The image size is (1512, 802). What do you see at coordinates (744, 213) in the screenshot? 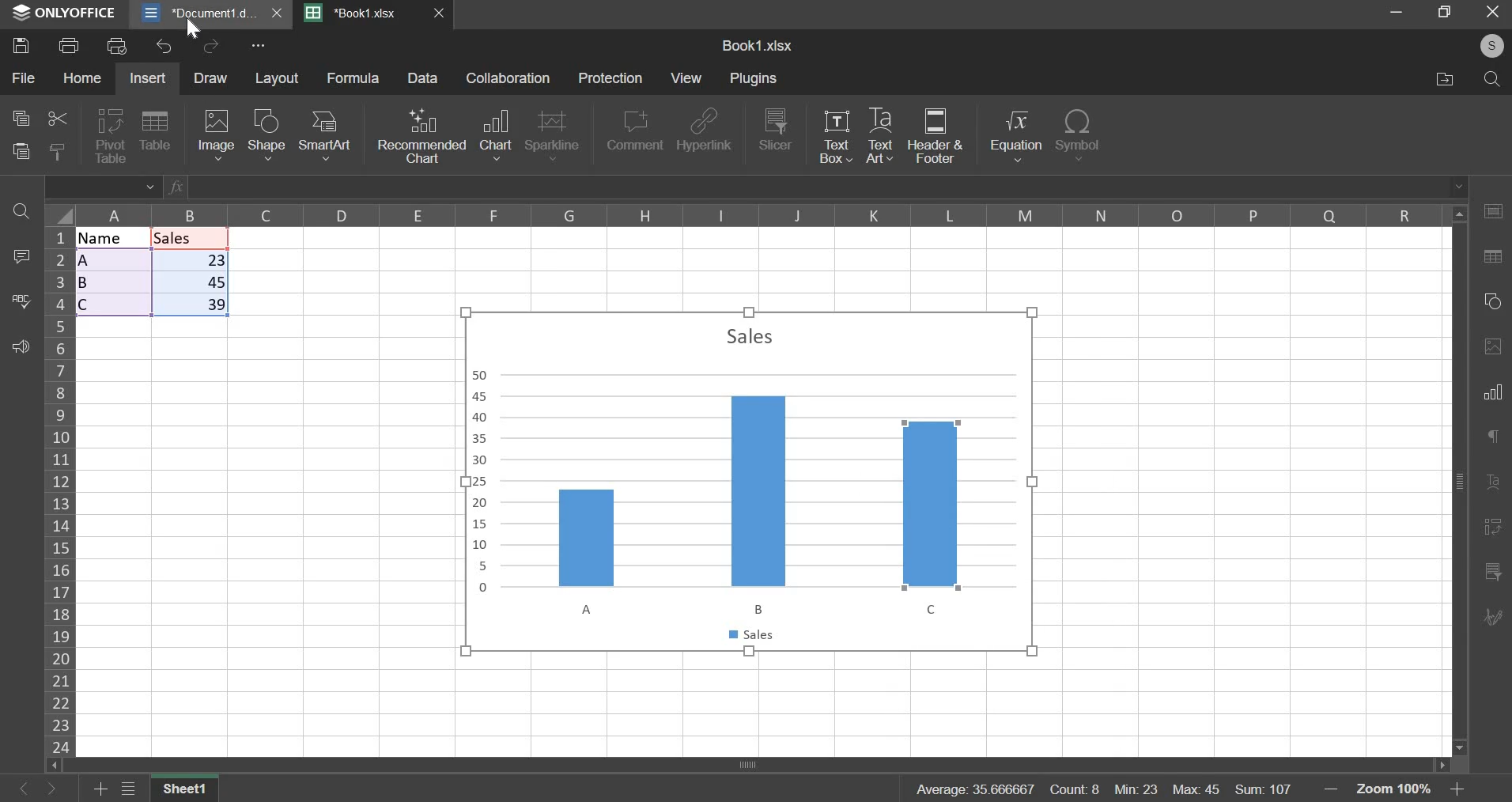
I see `columns` at bounding box center [744, 213].